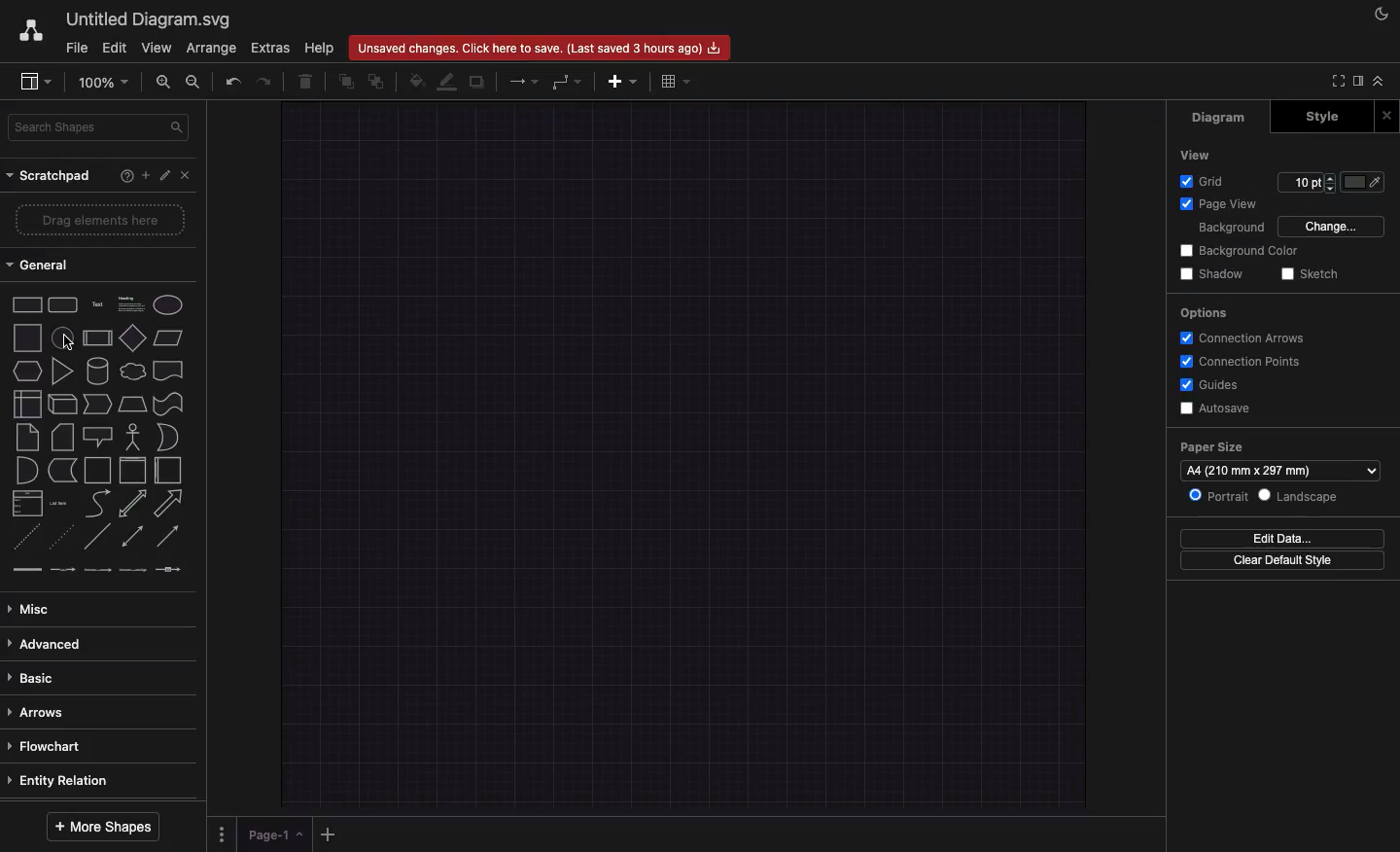 The height and width of the screenshot is (852, 1400). What do you see at coordinates (224, 834) in the screenshot?
I see `Options ` at bounding box center [224, 834].